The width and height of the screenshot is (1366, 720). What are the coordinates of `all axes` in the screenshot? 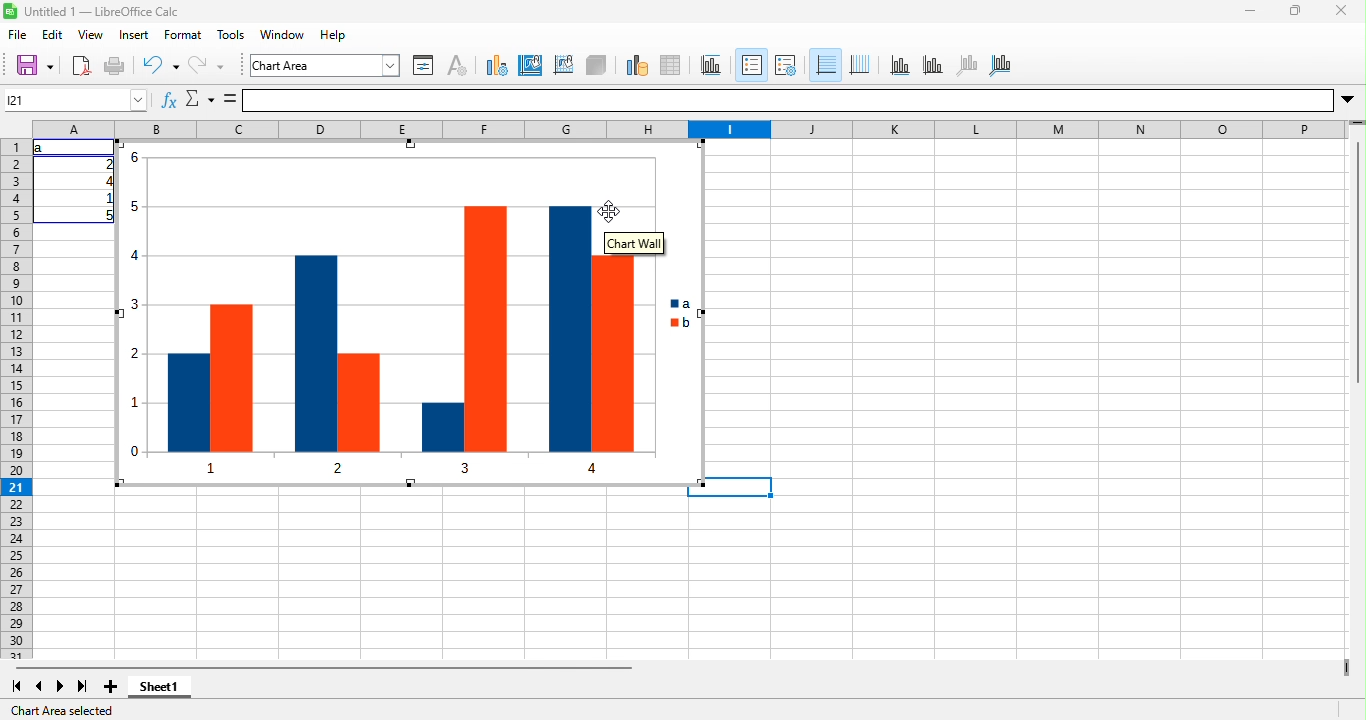 It's located at (999, 67).